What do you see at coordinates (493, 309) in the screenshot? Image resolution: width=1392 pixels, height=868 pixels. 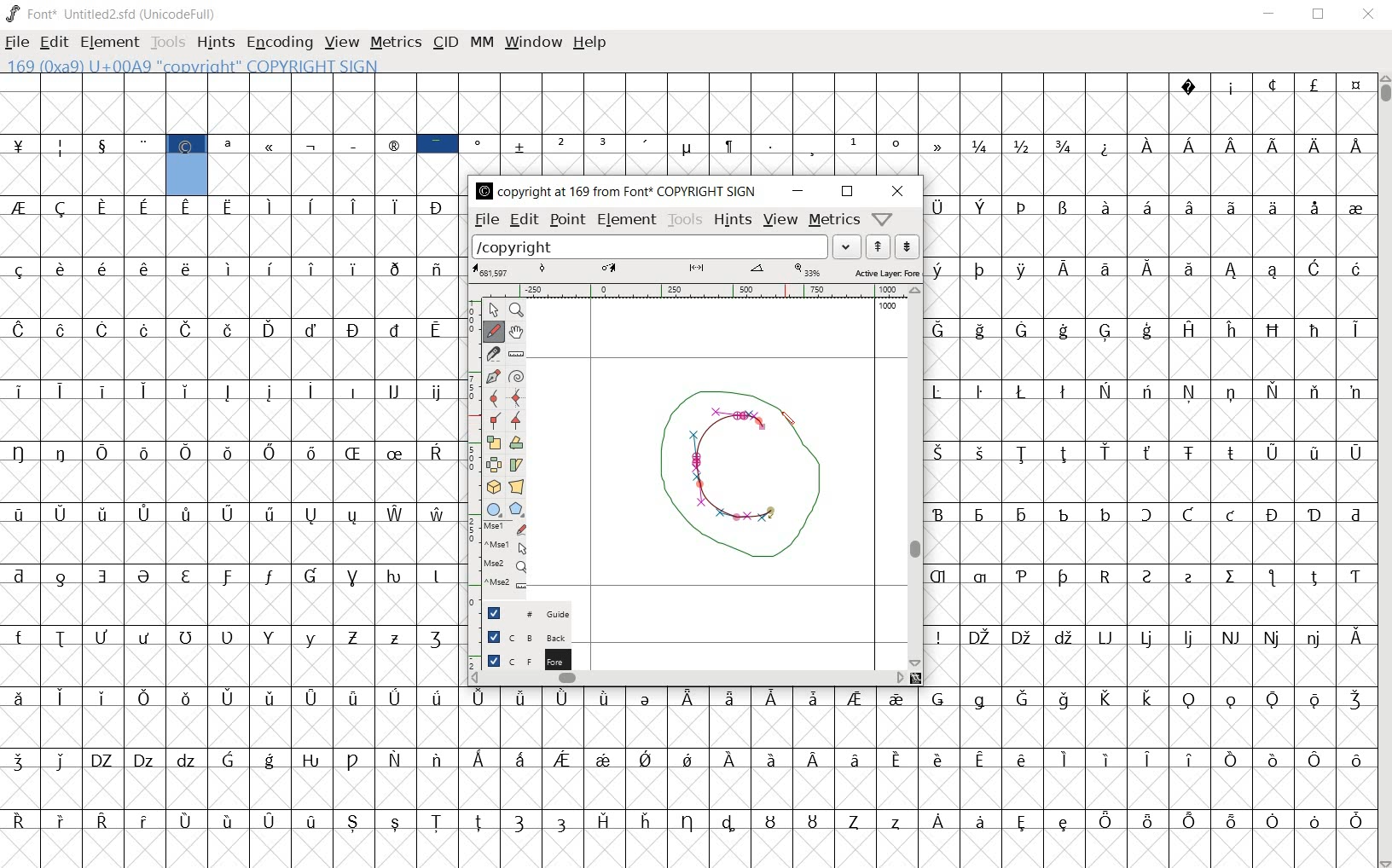 I see `POINTER` at bounding box center [493, 309].